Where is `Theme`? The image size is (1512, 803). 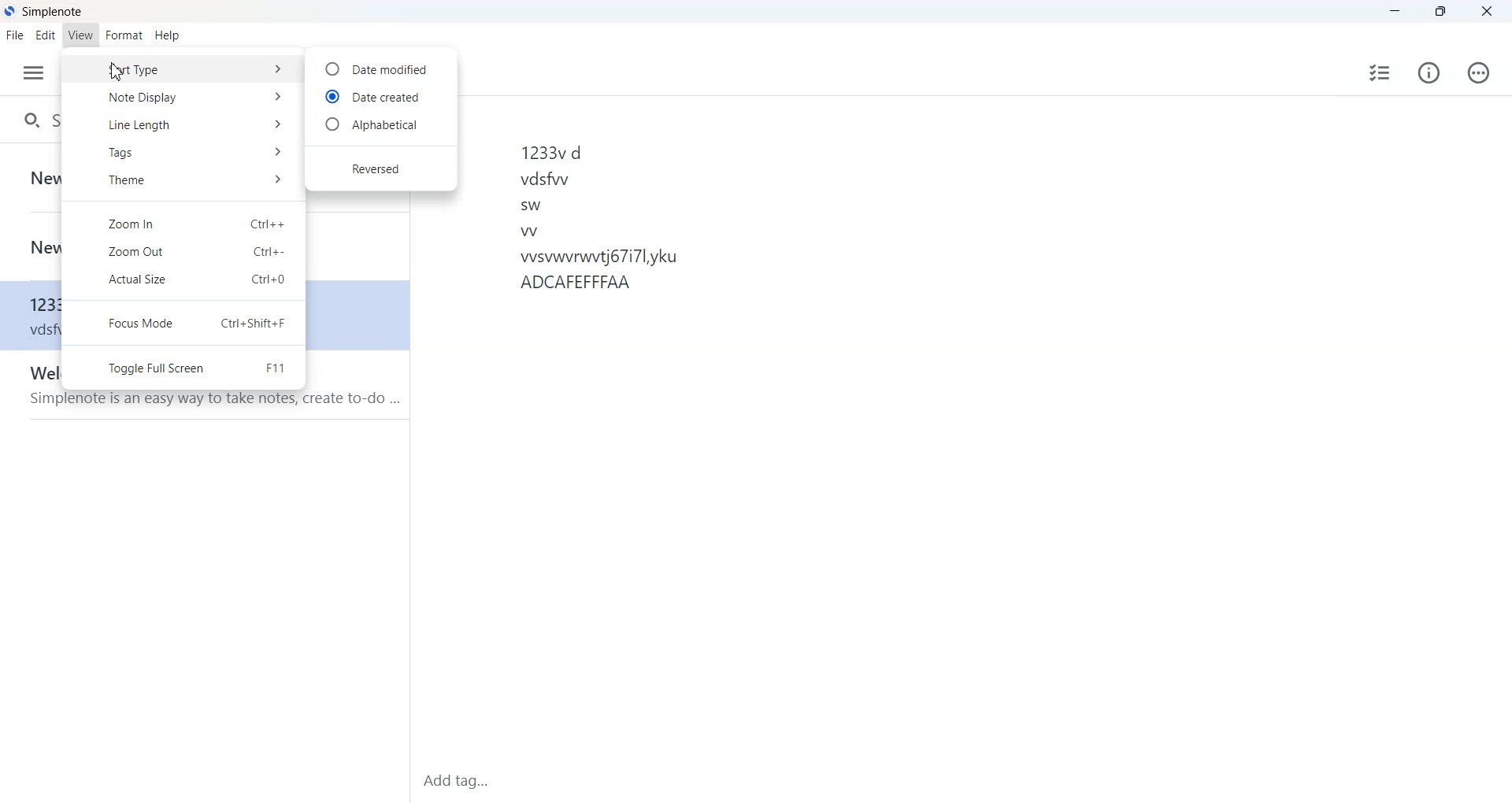
Theme is located at coordinates (183, 182).